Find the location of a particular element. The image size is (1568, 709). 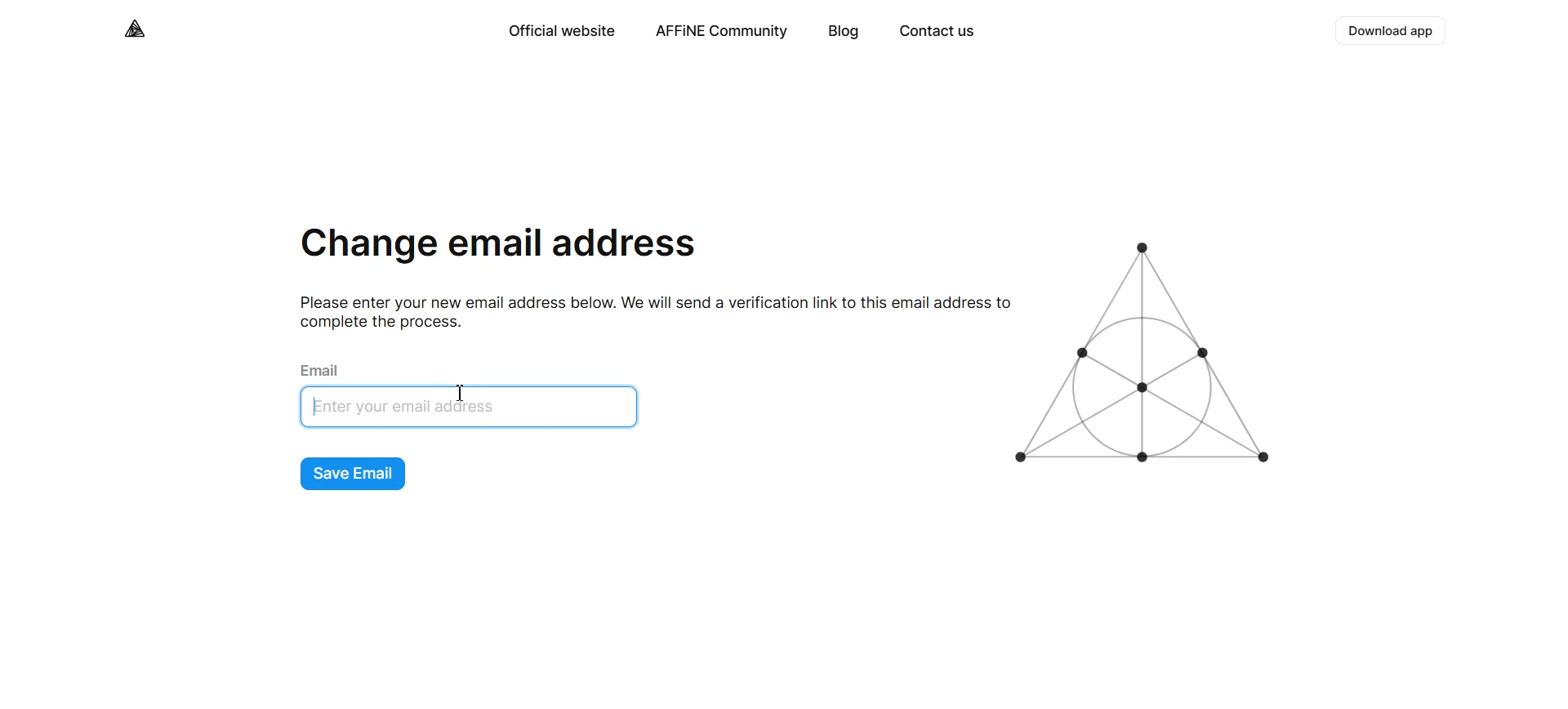

Blog is located at coordinates (844, 33).